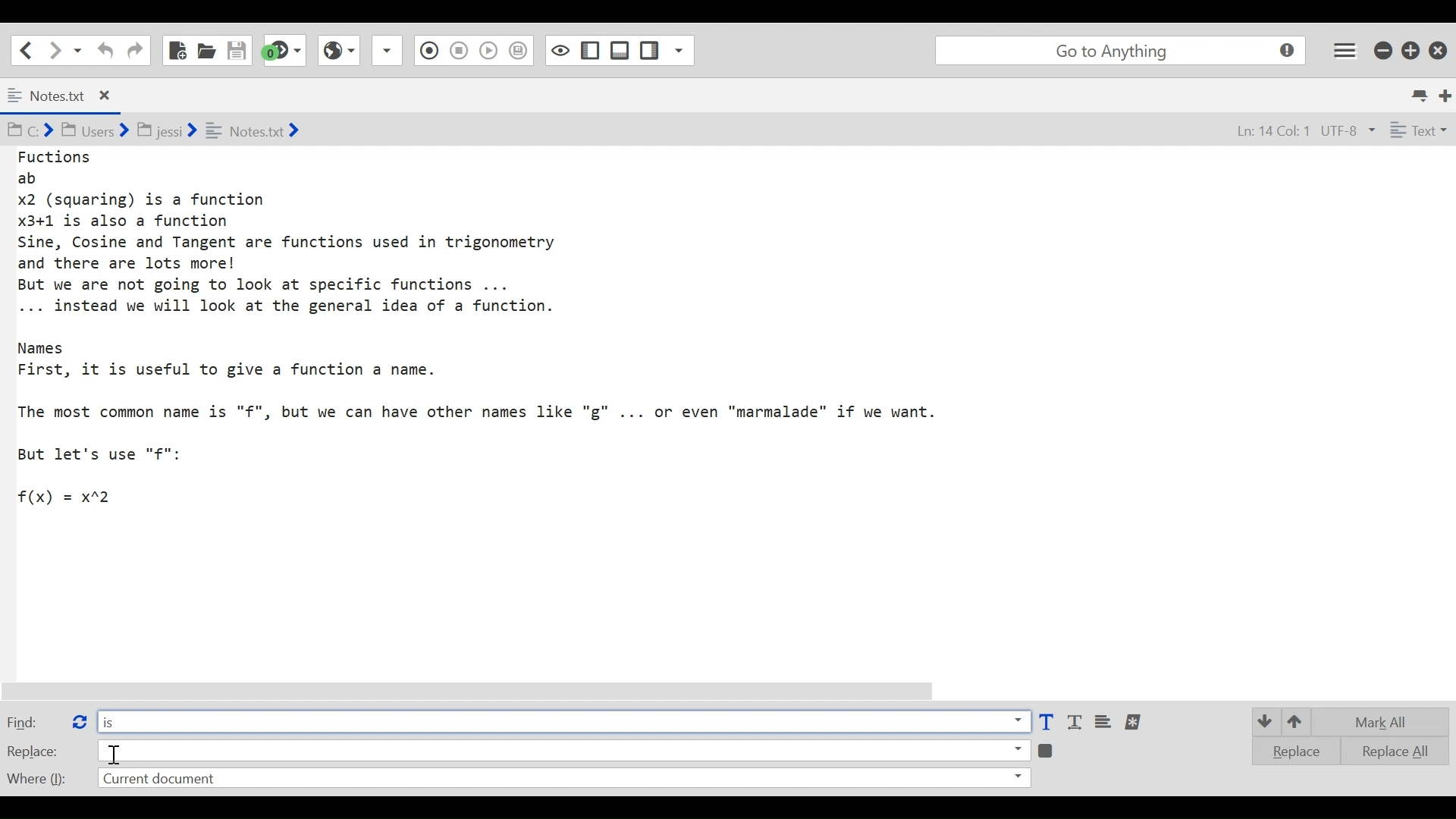  What do you see at coordinates (1440, 47) in the screenshot?
I see `Close` at bounding box center [1440, 47].